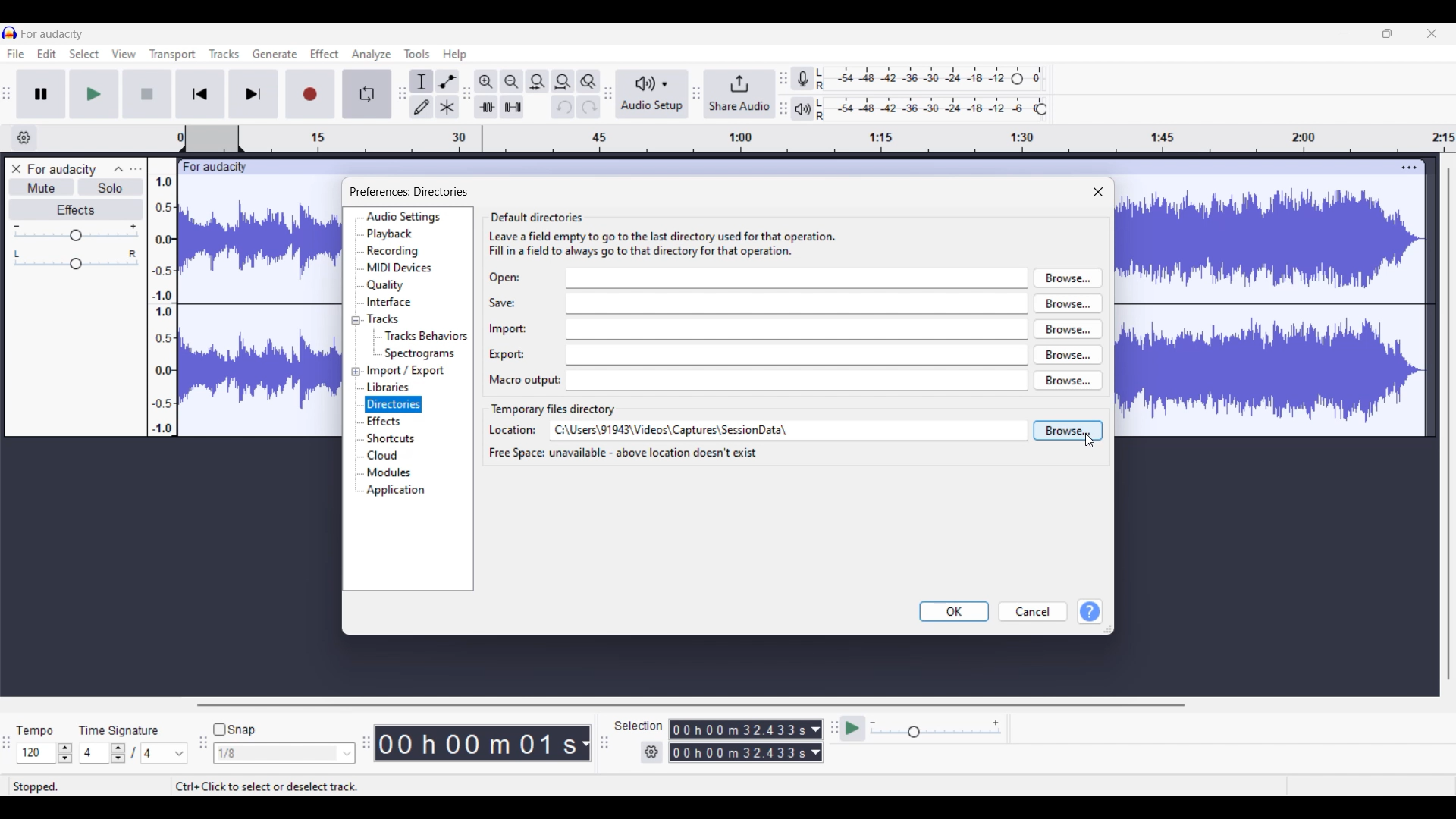 The image size is (1456, 819). I want to click on Spectrograms, so click(421, 354).